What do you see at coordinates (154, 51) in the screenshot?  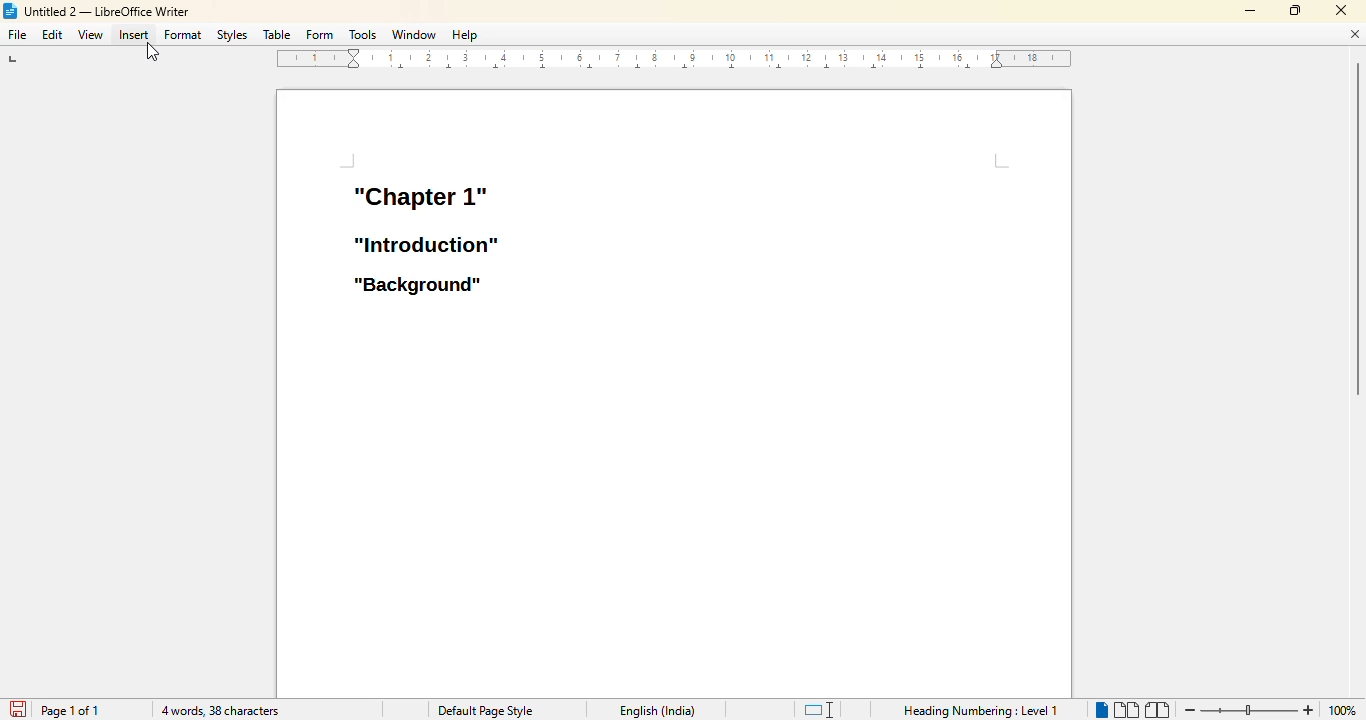 I see `cursor` at bounding box center [154, 51].